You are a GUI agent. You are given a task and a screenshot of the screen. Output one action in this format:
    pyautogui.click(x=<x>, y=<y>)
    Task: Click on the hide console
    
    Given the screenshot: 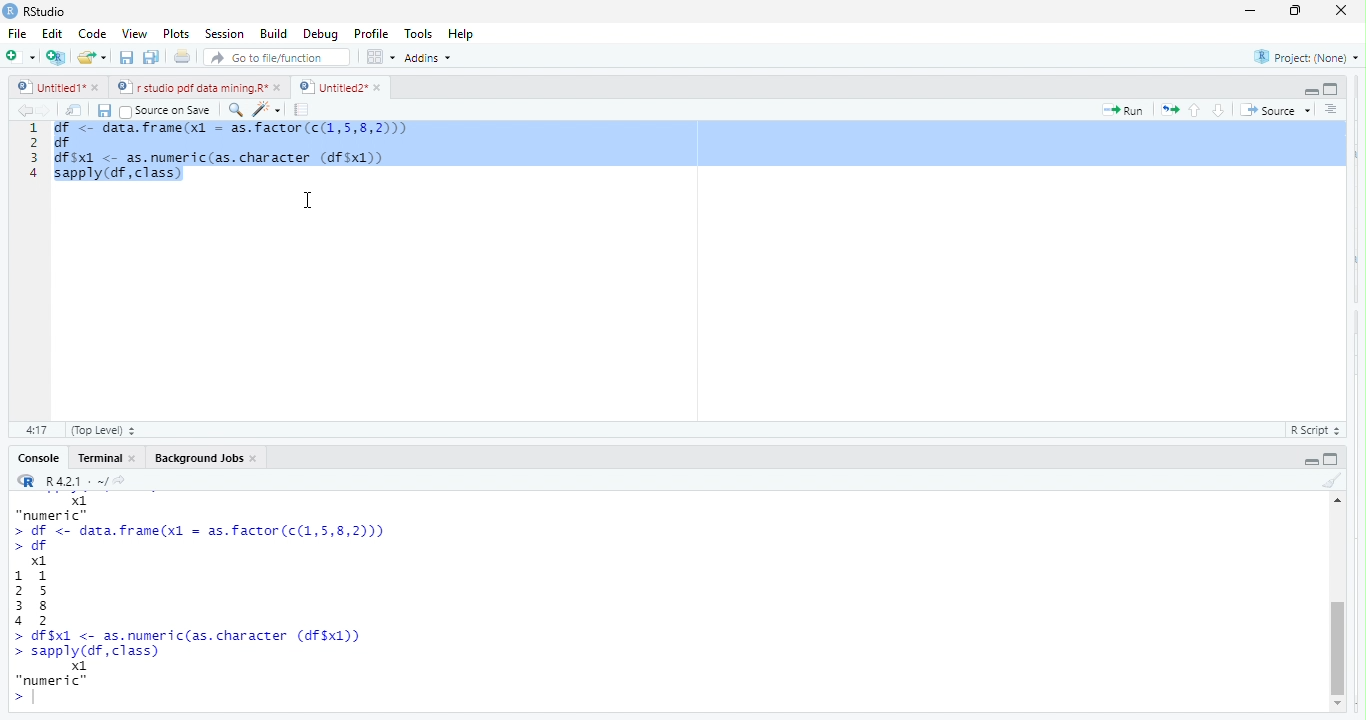 What is the action you would take?
    pyautogui.click(x=1332, y=88)
    